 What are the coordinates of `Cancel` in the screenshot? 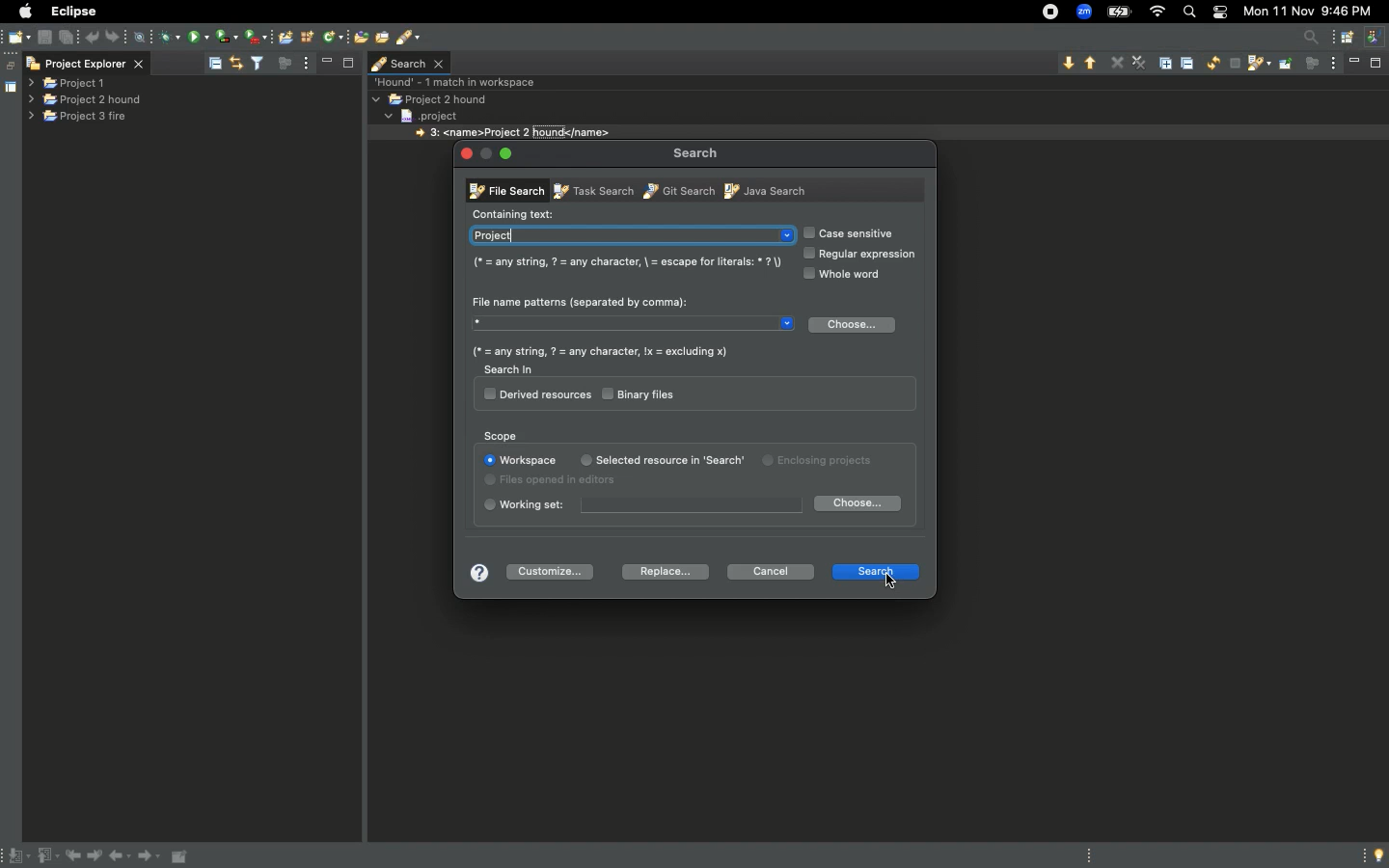 It's located at (771, 573).